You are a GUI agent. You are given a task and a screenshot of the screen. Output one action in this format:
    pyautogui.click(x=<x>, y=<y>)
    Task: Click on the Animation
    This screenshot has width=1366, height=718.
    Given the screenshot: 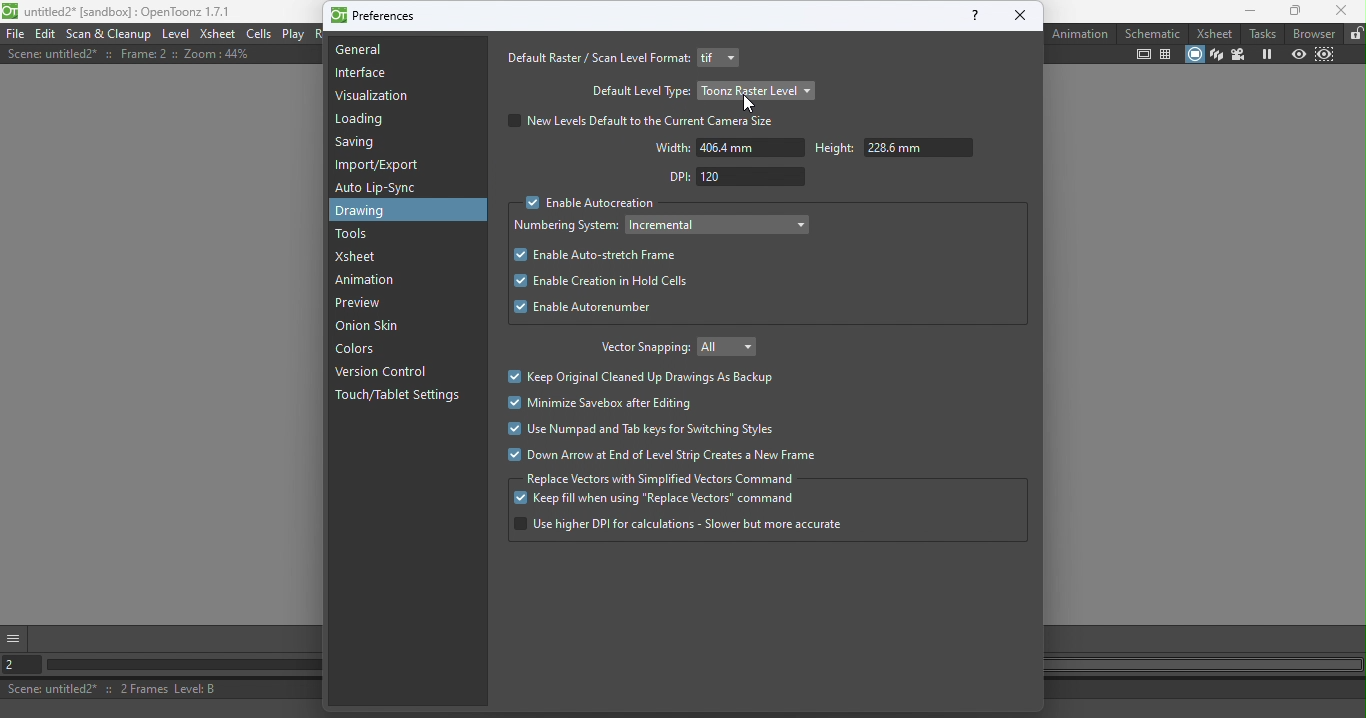 What is the action you would take?
    pyautogui.click(x=1081, y=33)
    